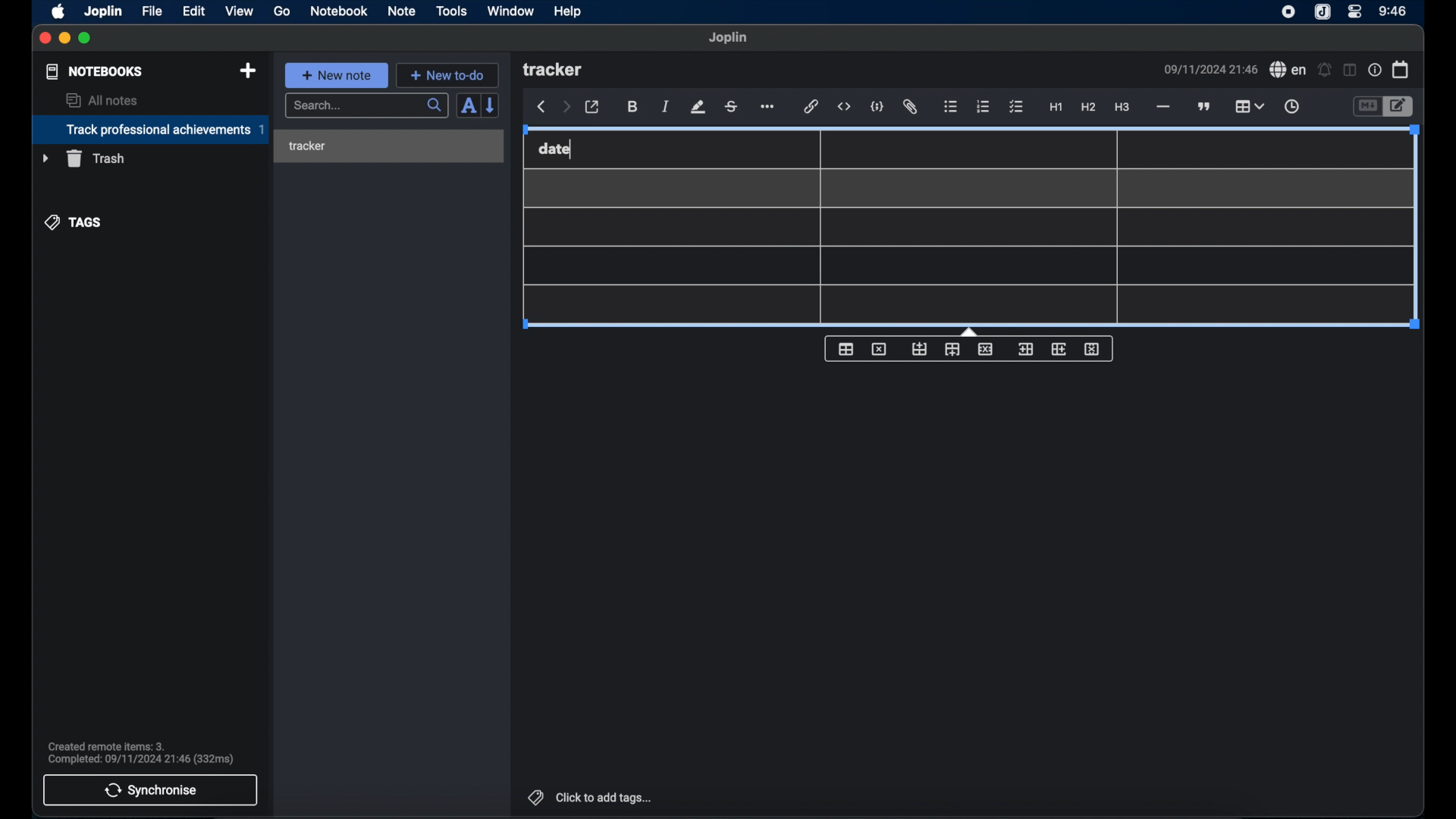  Describe the element at coordinates (1399, 106) in the screenshot. I see `toggle editor` at that location.